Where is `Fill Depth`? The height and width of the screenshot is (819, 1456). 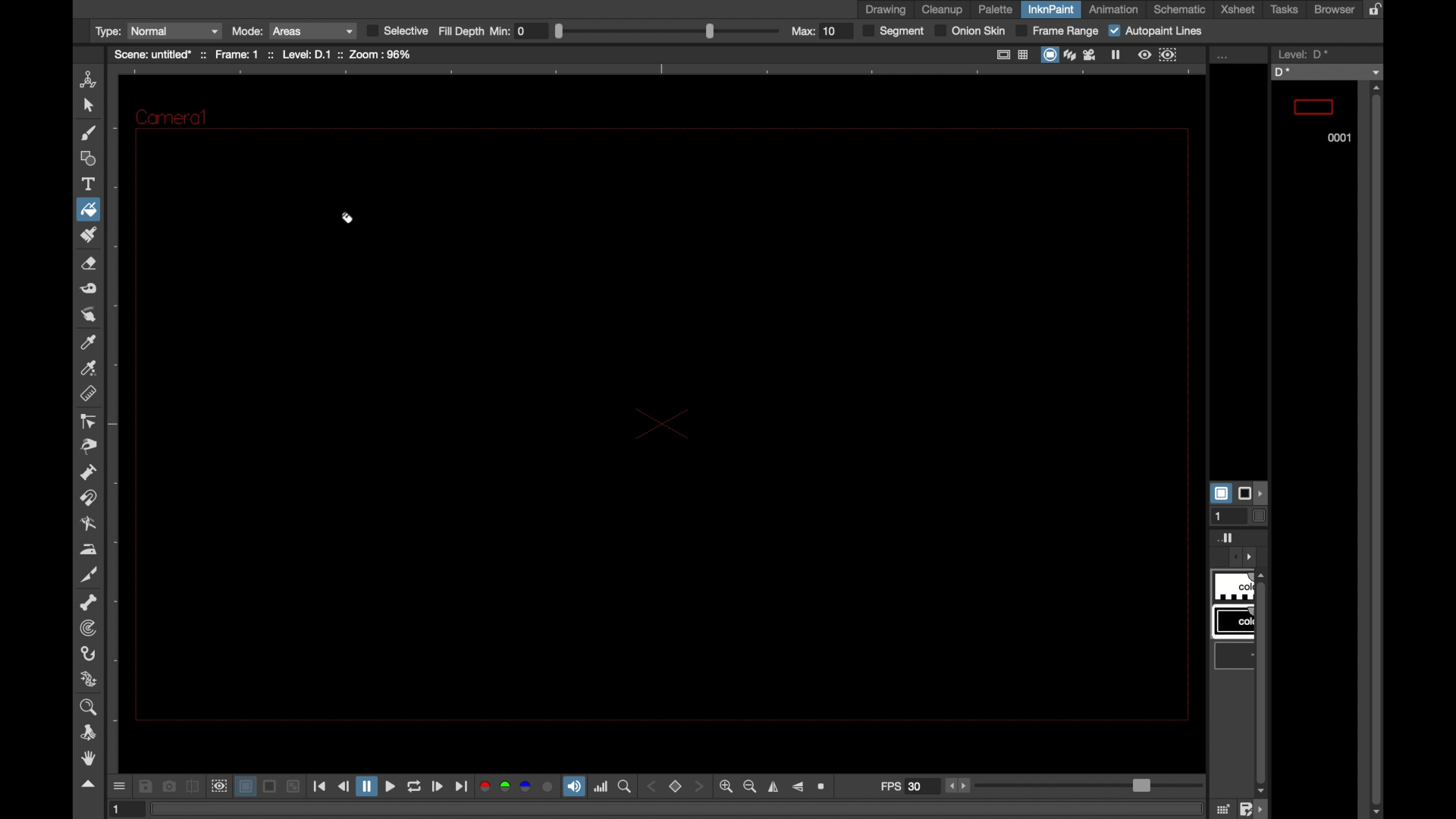 Fill Depth is located at coordinates (462, 32).